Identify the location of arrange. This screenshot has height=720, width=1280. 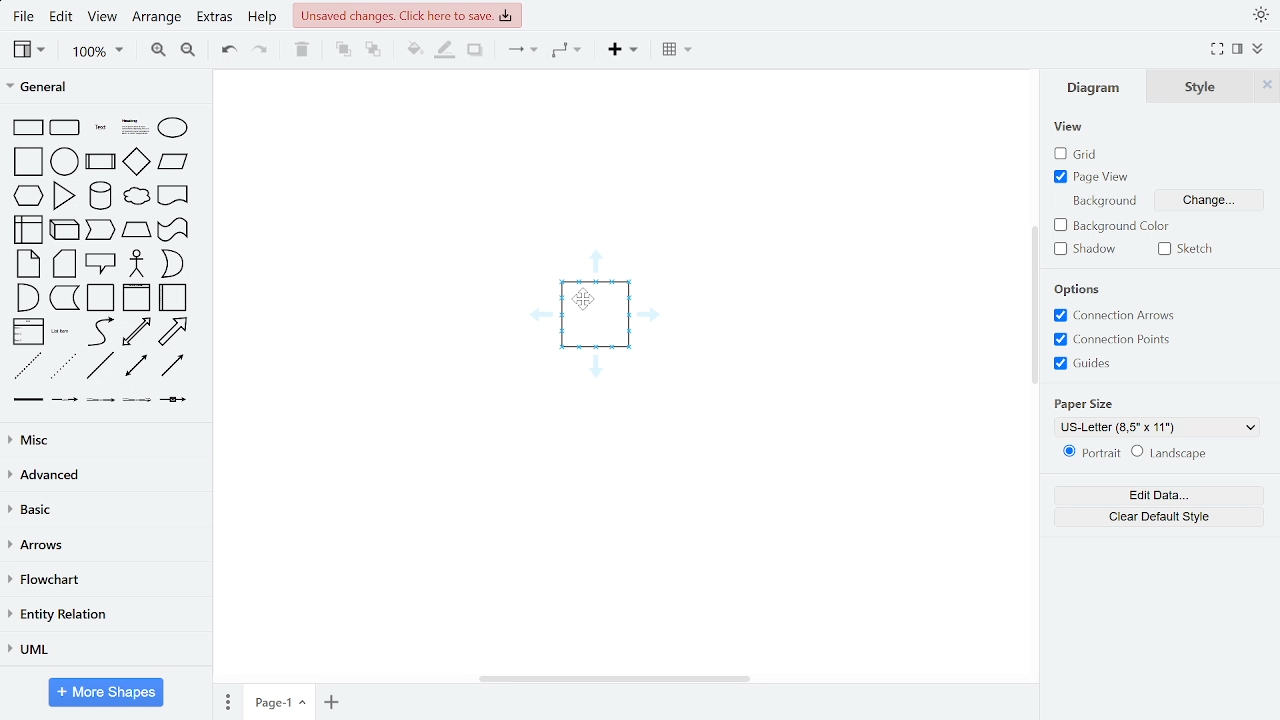
(158, 17).